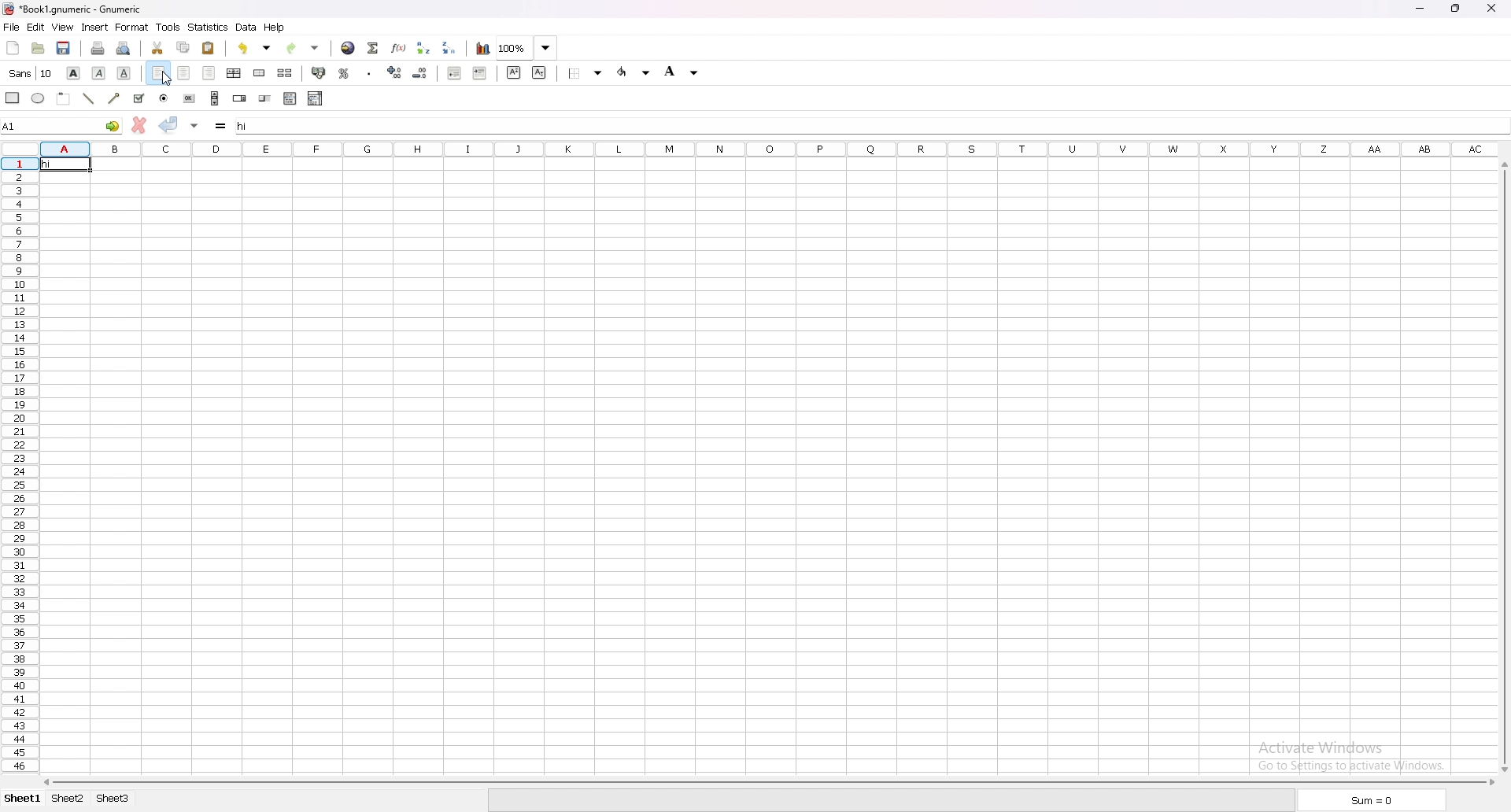  I want to click on print, so click(98, 48).